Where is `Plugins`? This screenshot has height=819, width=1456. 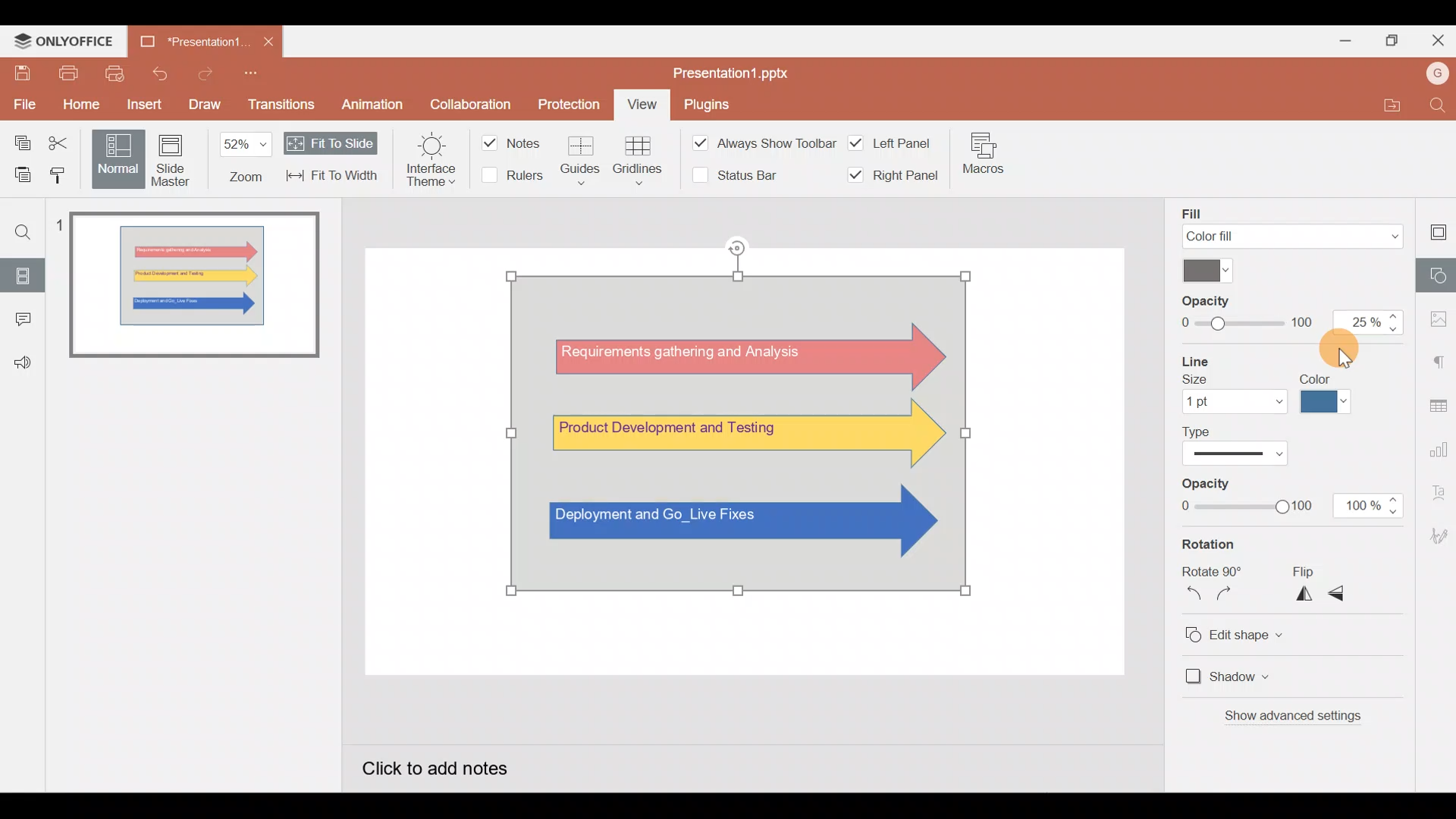 Plugins is located at coordinates (707, 106).